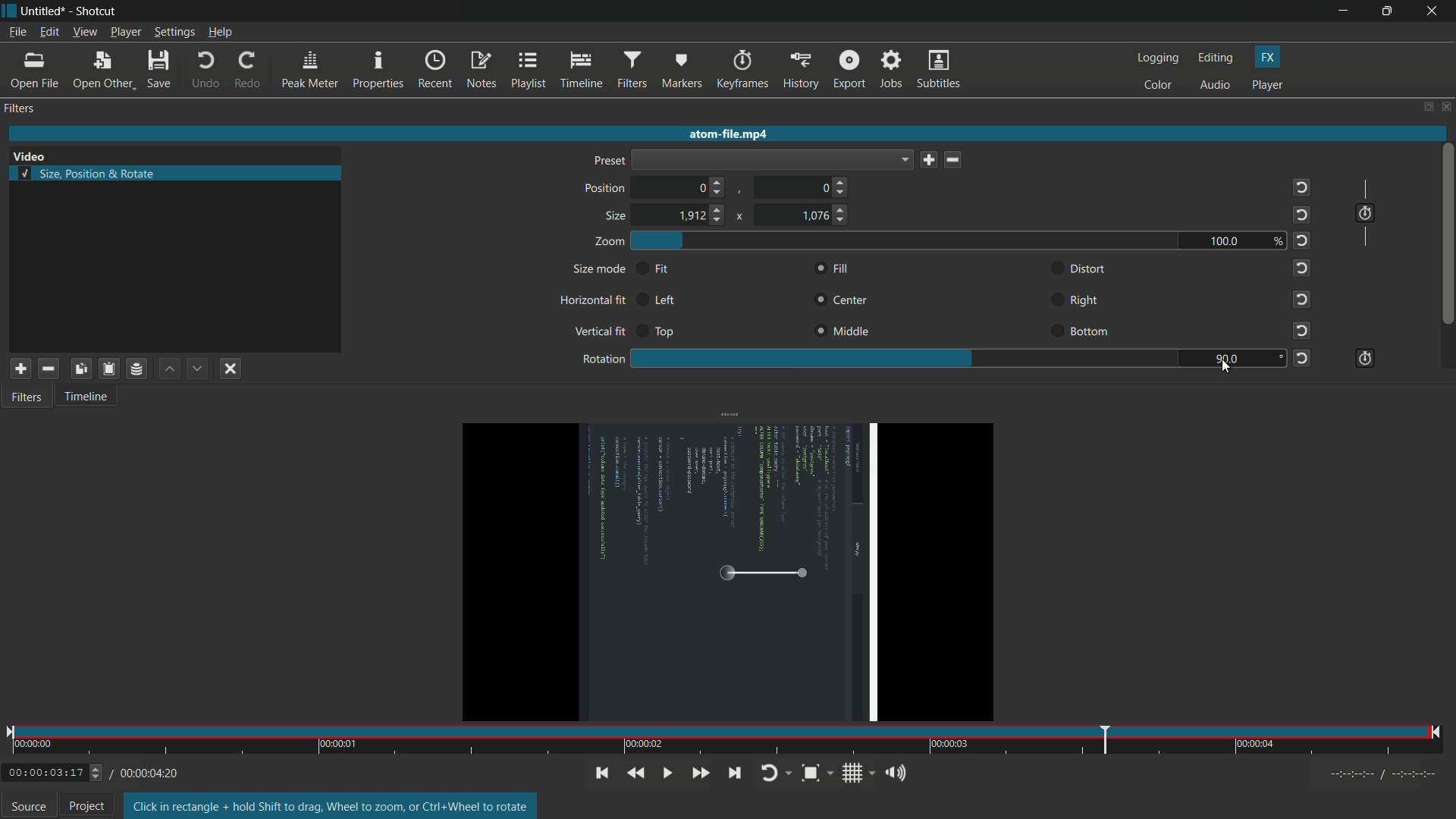 The image size is (1456, 819). What do you see at coordinates (83, 369) in the screenshot?
I see `copy selected filter` at bounding box center [83, 369].